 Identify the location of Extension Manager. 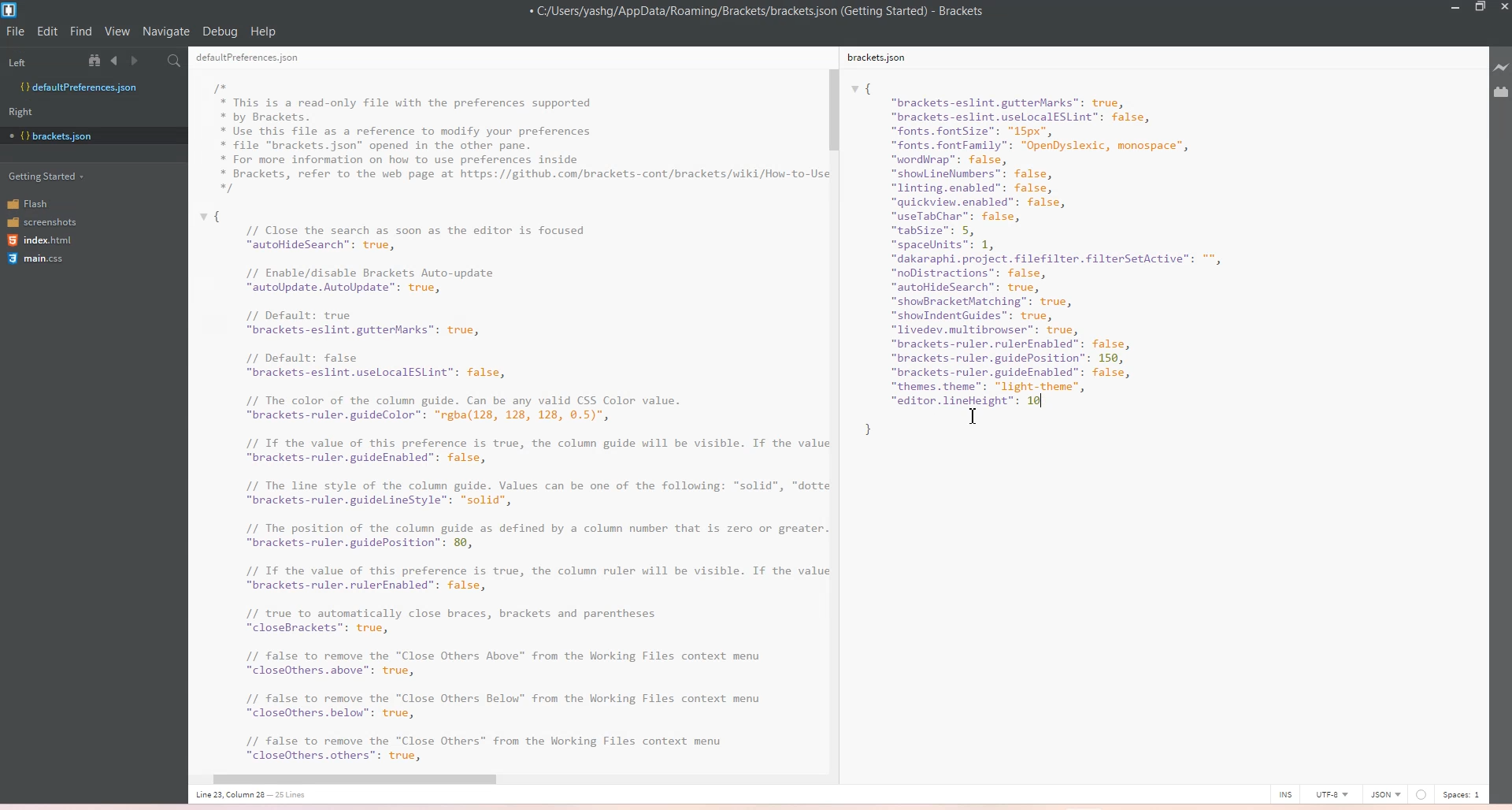
(1501, 92).